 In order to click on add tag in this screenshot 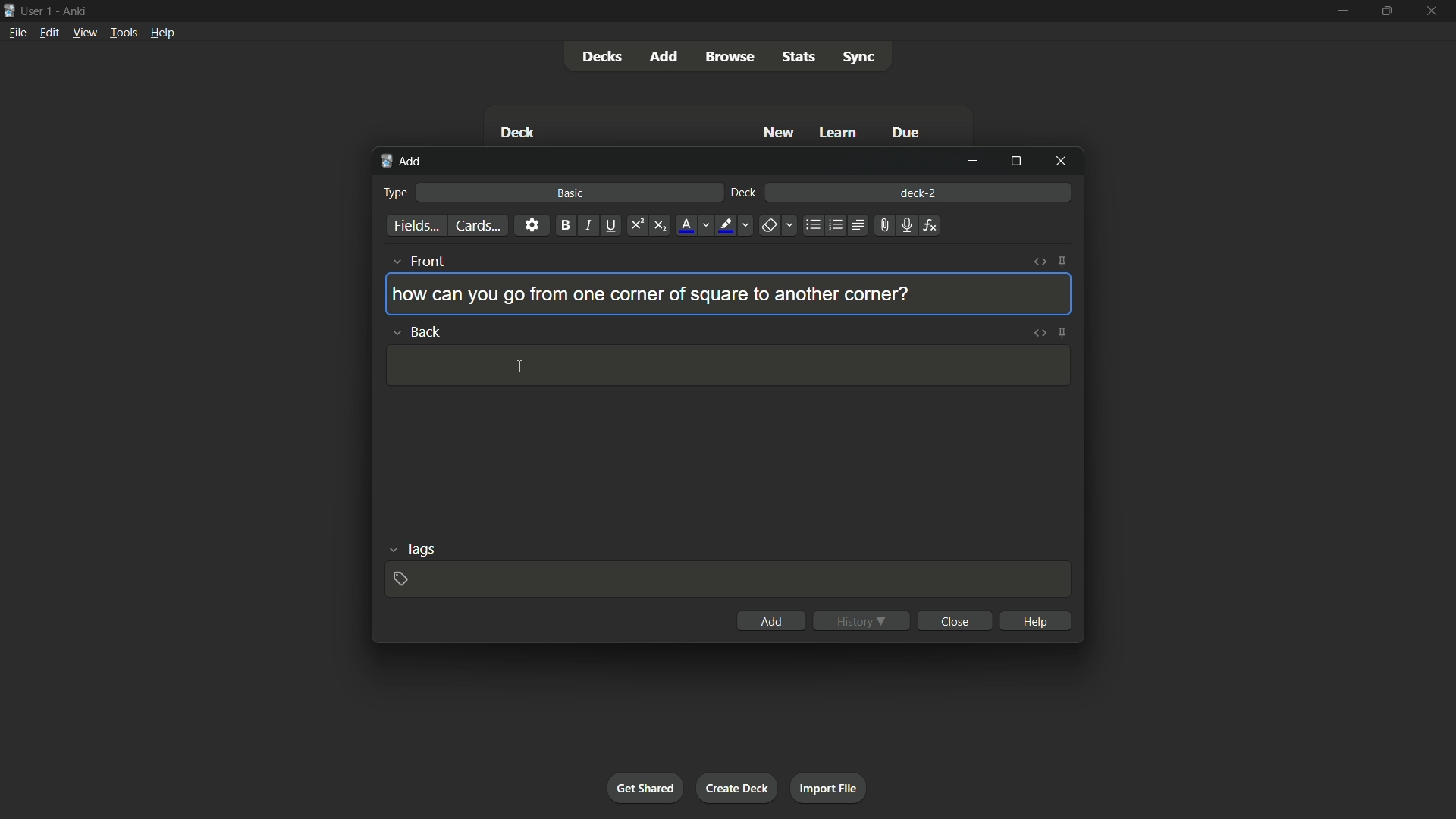, I will do `click(403, 579)`.